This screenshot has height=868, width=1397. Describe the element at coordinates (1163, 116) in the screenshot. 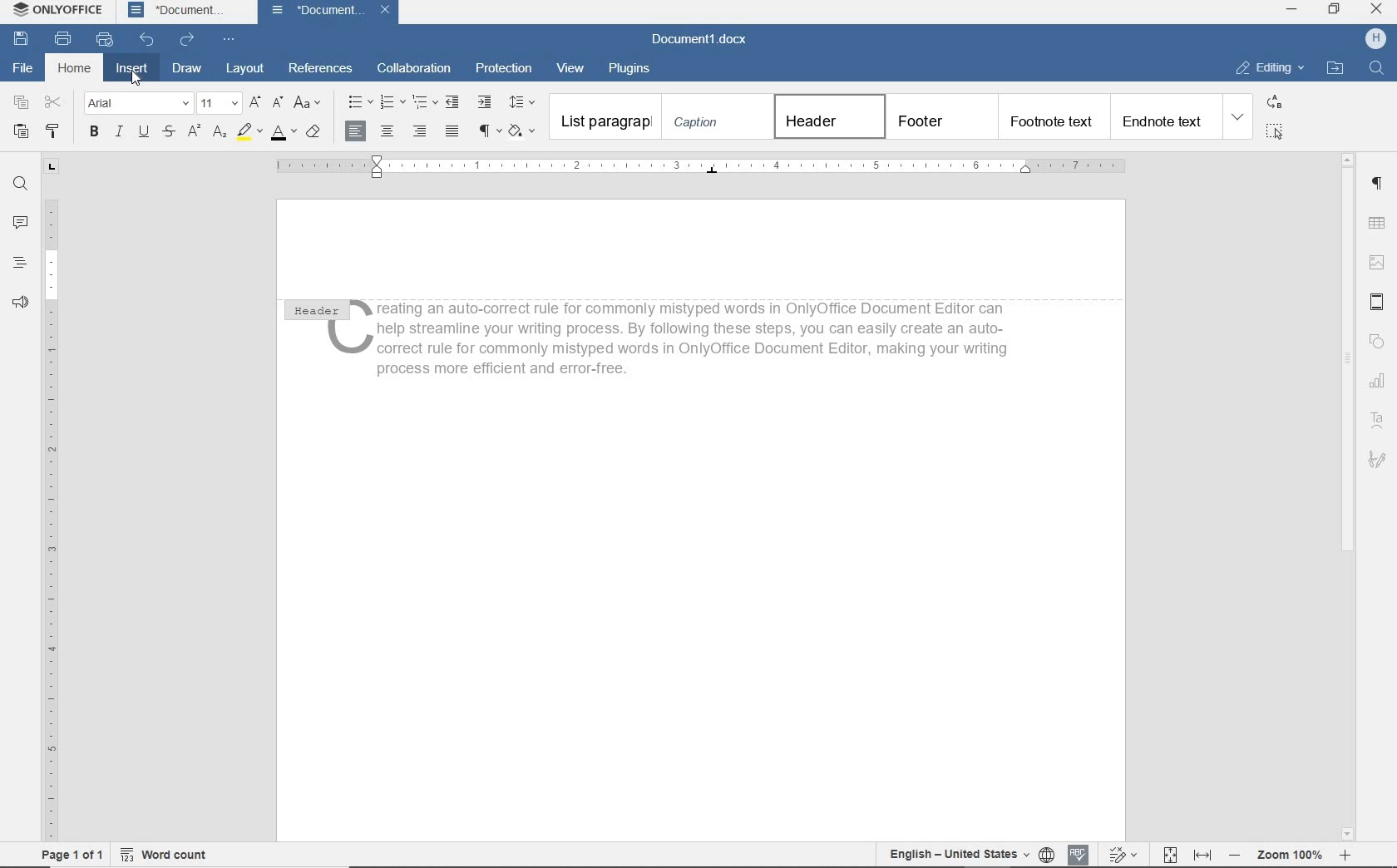

I see `HEADING 4` at that location.